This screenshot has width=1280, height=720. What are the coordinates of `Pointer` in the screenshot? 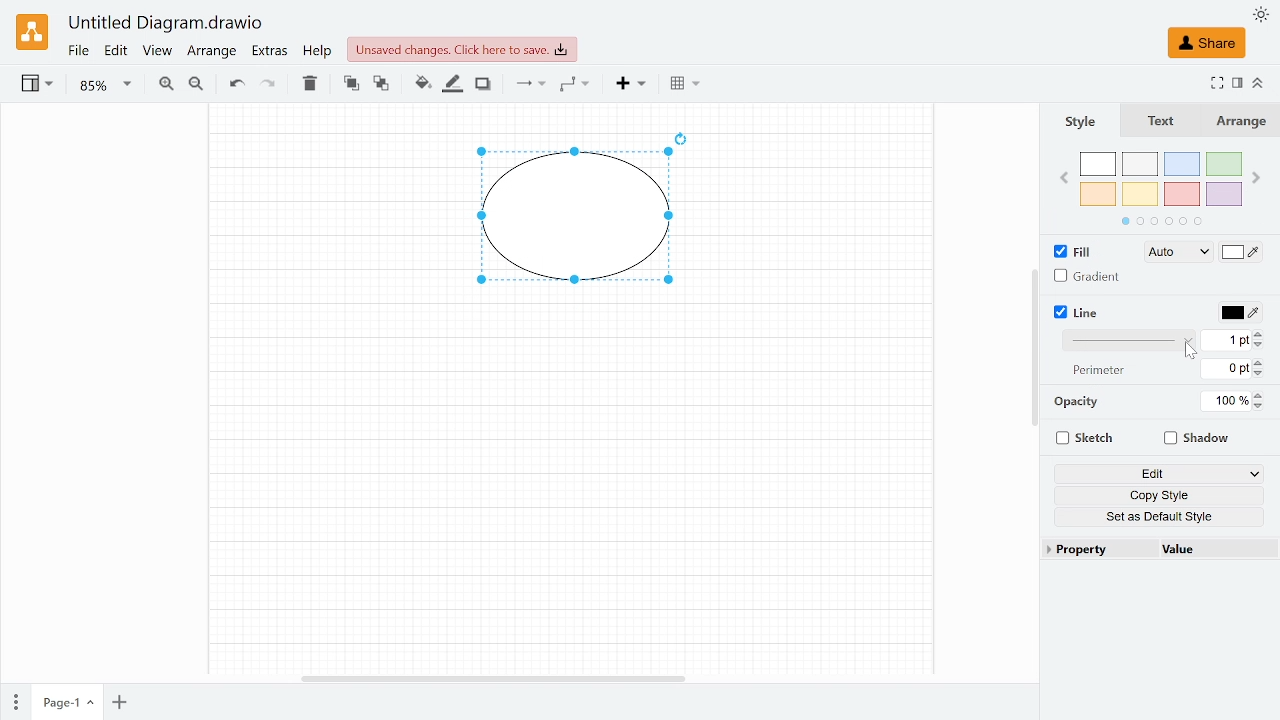 It's located at (1192, 350).